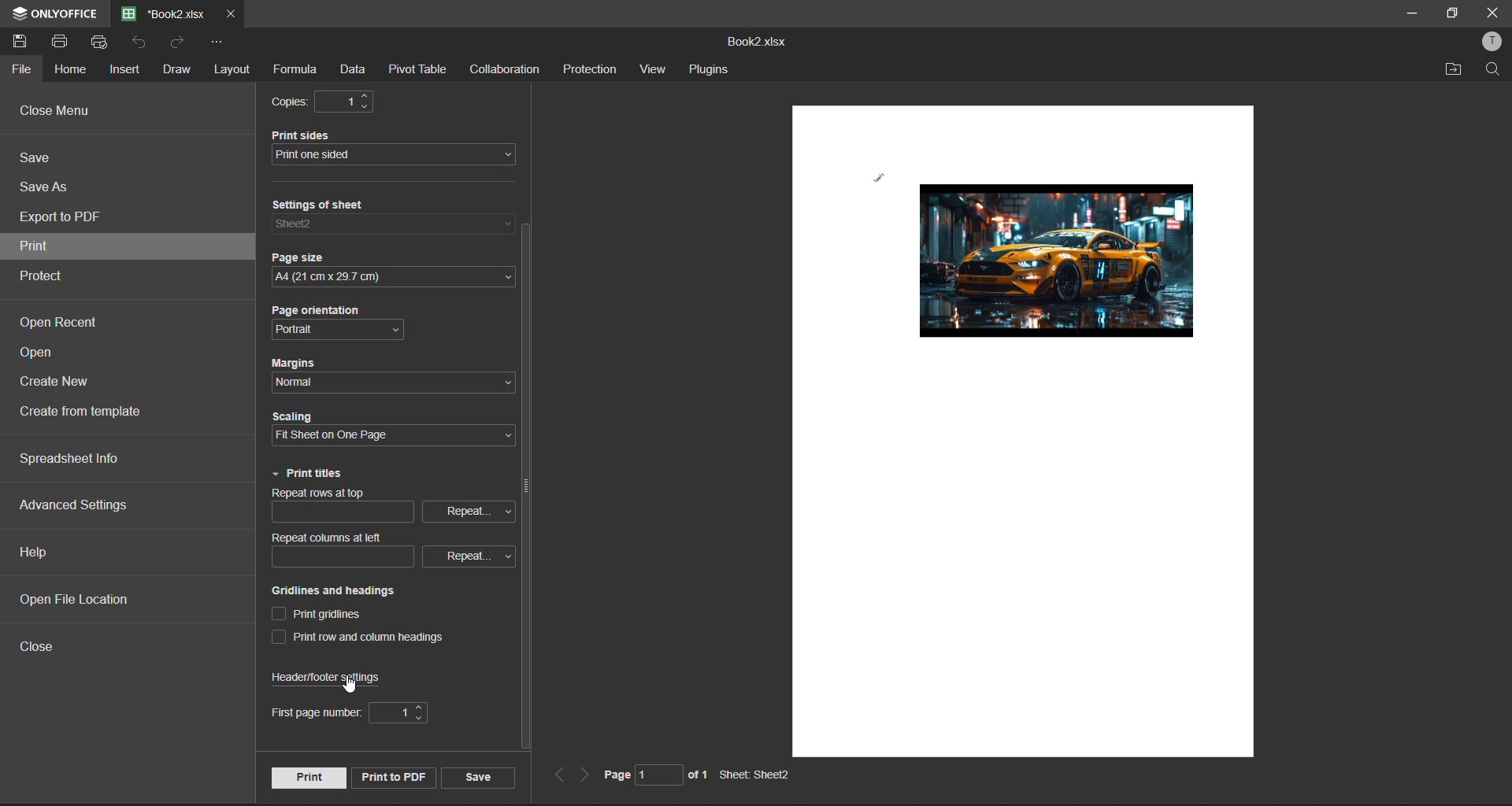  What do you see at coordinates (381, 509) in the screenshot?
I see `repeat columns at top` at bounding box center [381, 509].